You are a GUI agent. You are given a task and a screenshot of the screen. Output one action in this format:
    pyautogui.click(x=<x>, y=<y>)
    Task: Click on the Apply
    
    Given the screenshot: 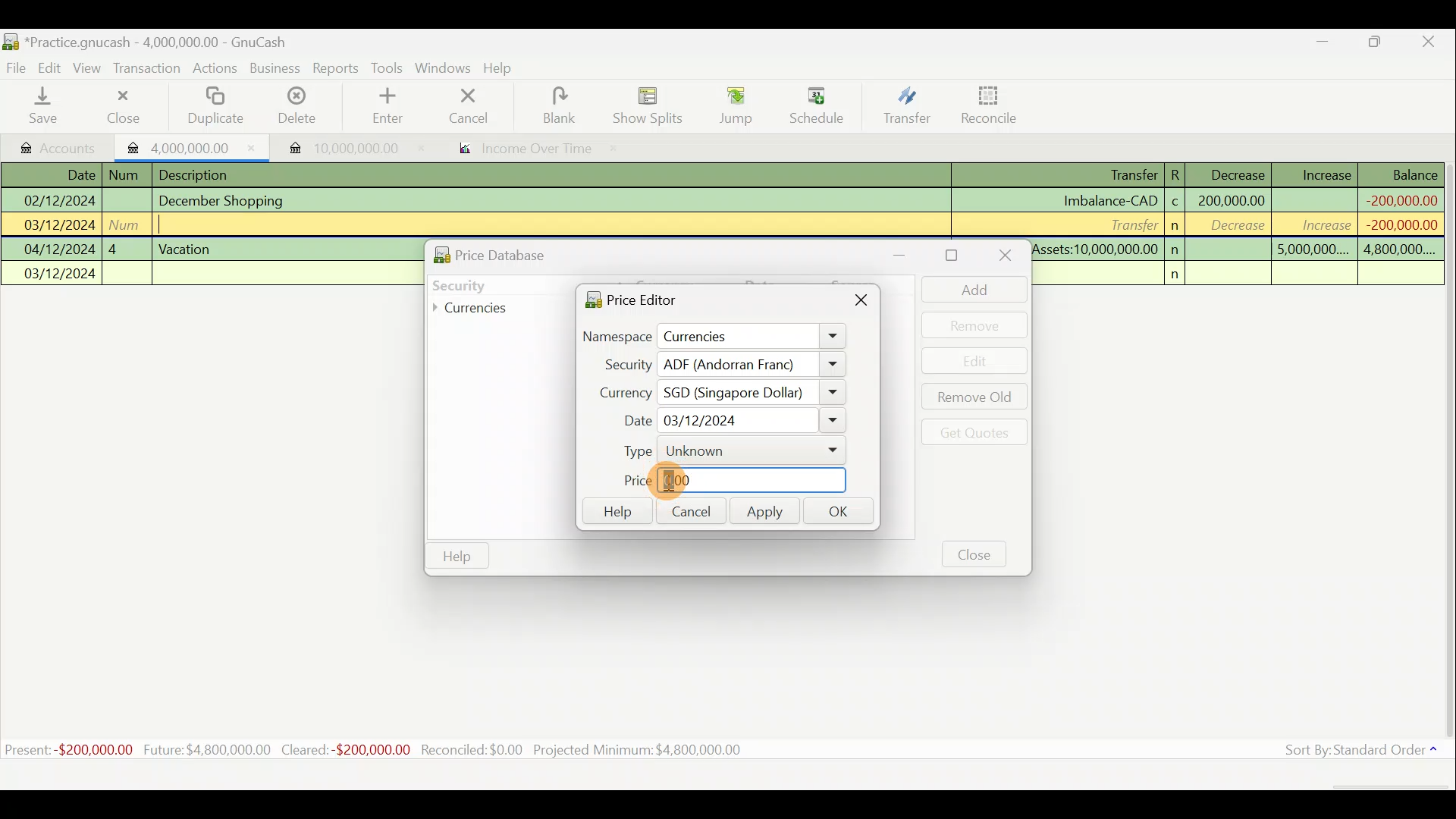 What is the action you would take?
    pyautogui.click(x=765, y=513)
    